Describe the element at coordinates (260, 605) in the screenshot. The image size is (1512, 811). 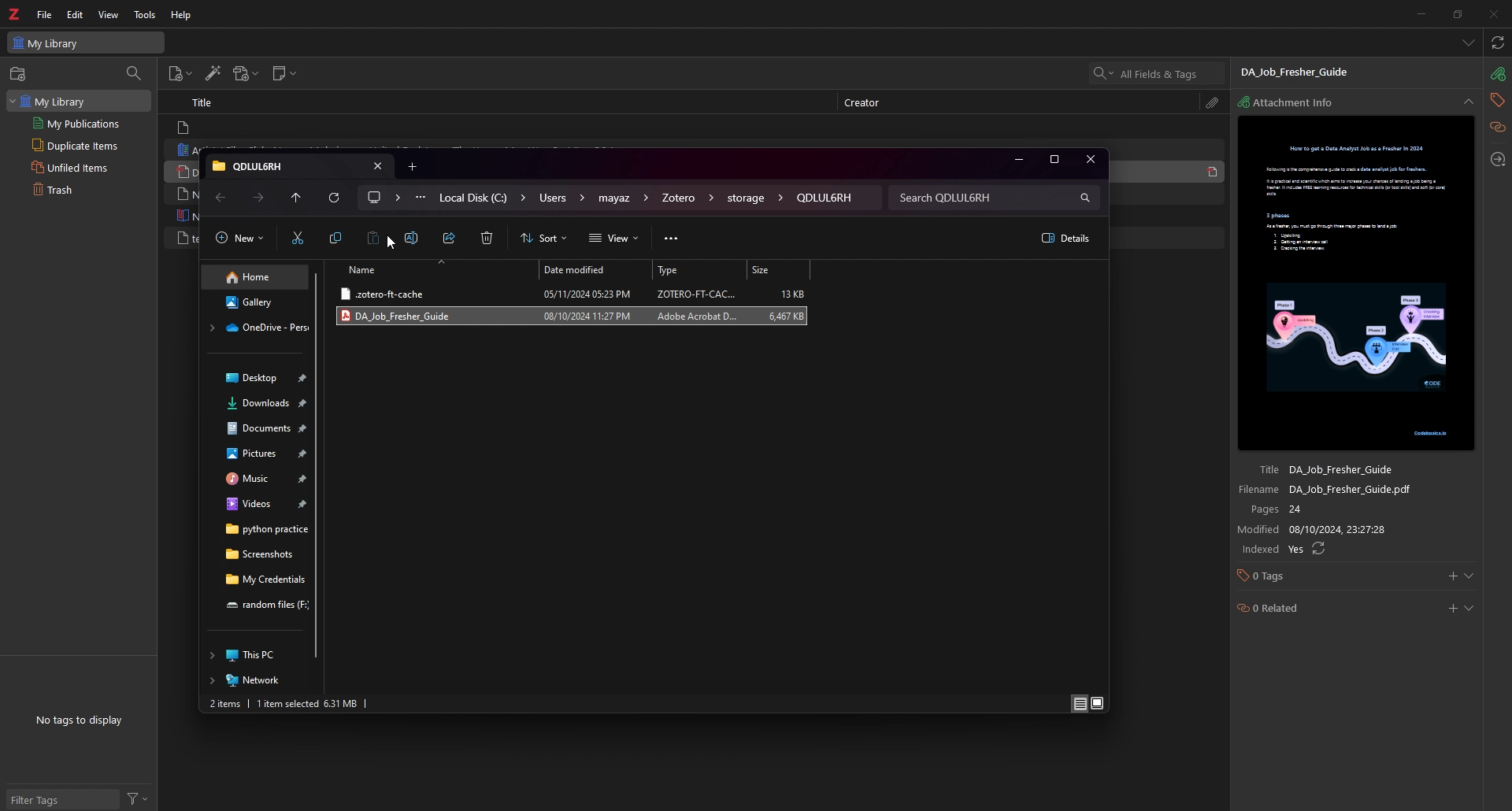
I see `folder` at that location.